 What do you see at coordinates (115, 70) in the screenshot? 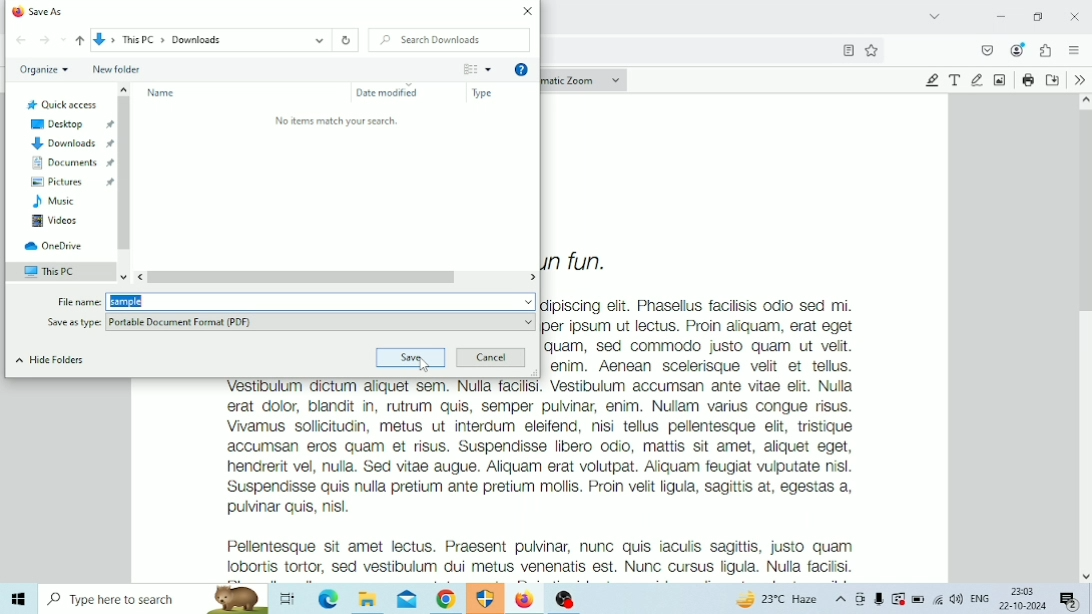
I see `New folder` at bounding box center [115, 70].